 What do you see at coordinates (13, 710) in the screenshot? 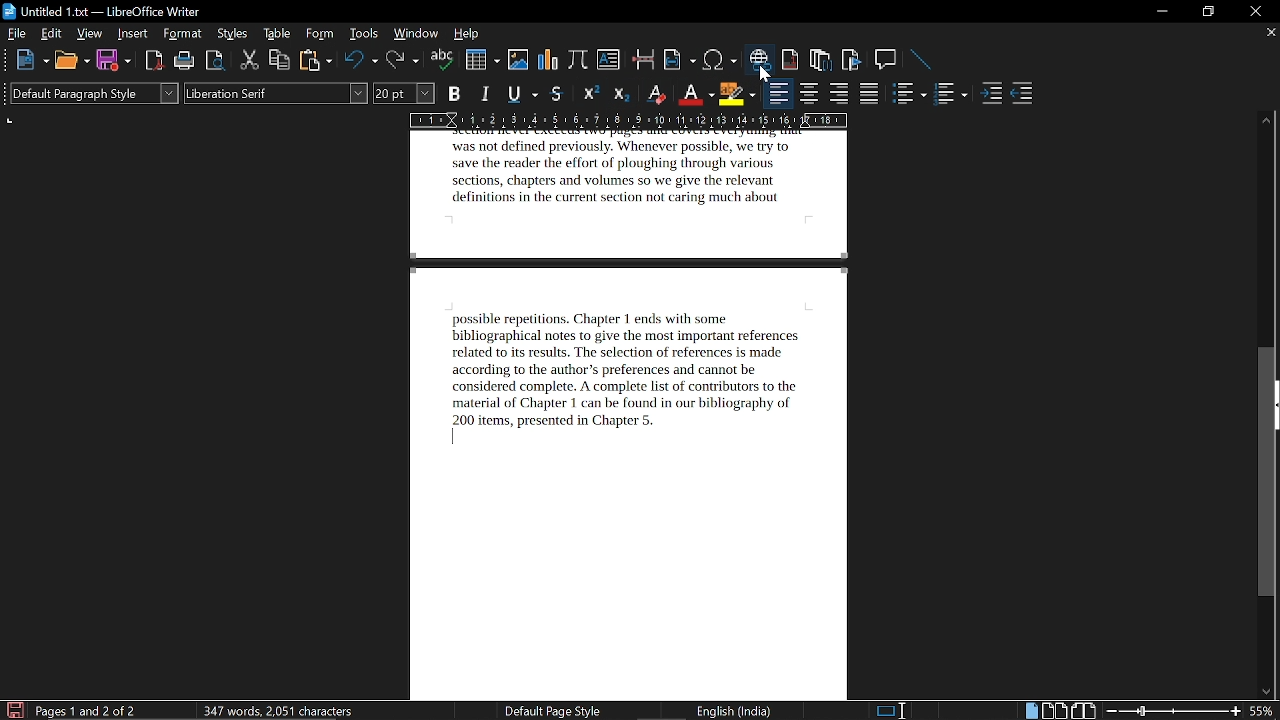
I see `save` at bounding box center [13, 710].